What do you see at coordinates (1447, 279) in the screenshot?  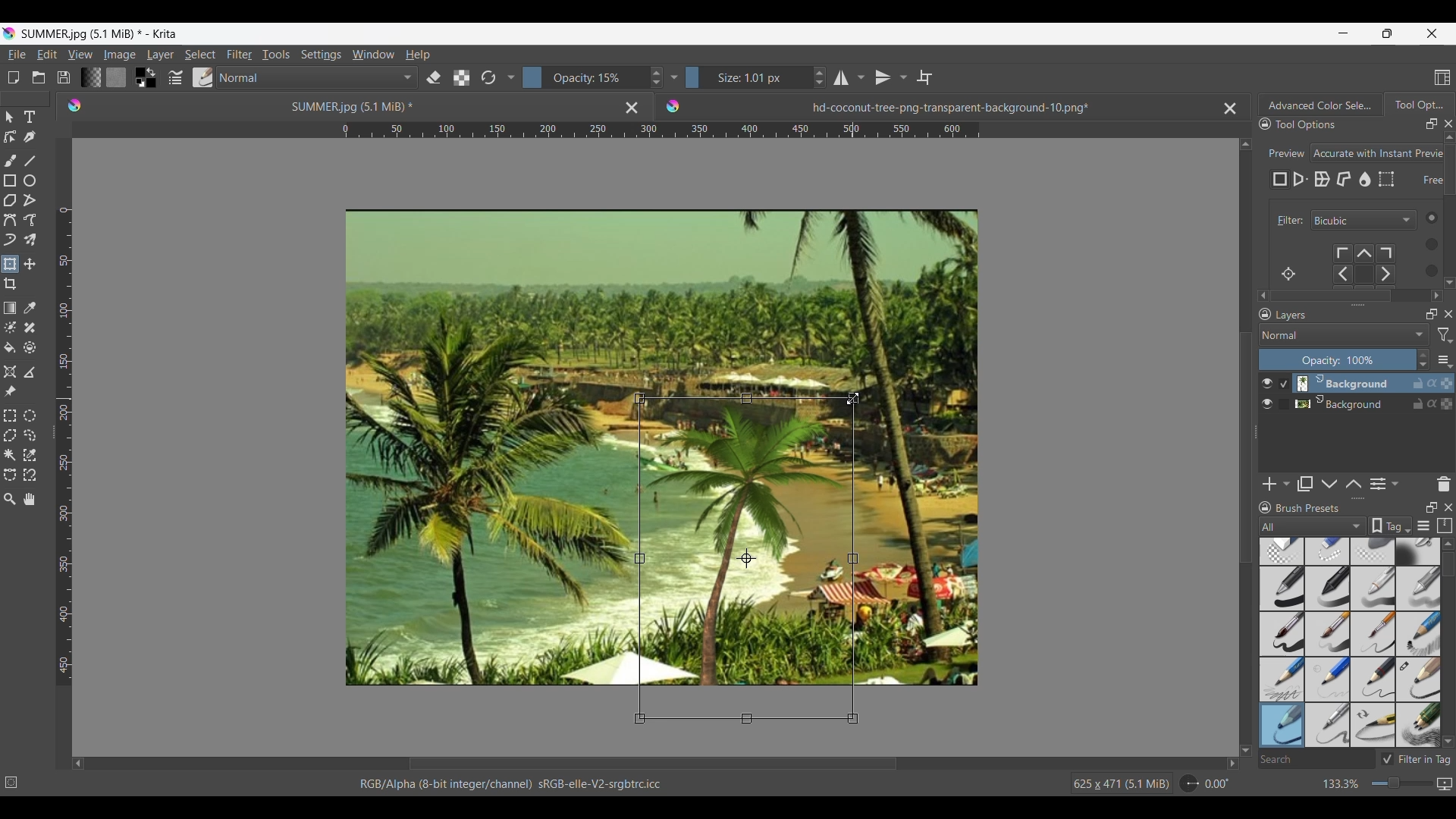 I see `Down` at bounding box center [1447, 279].